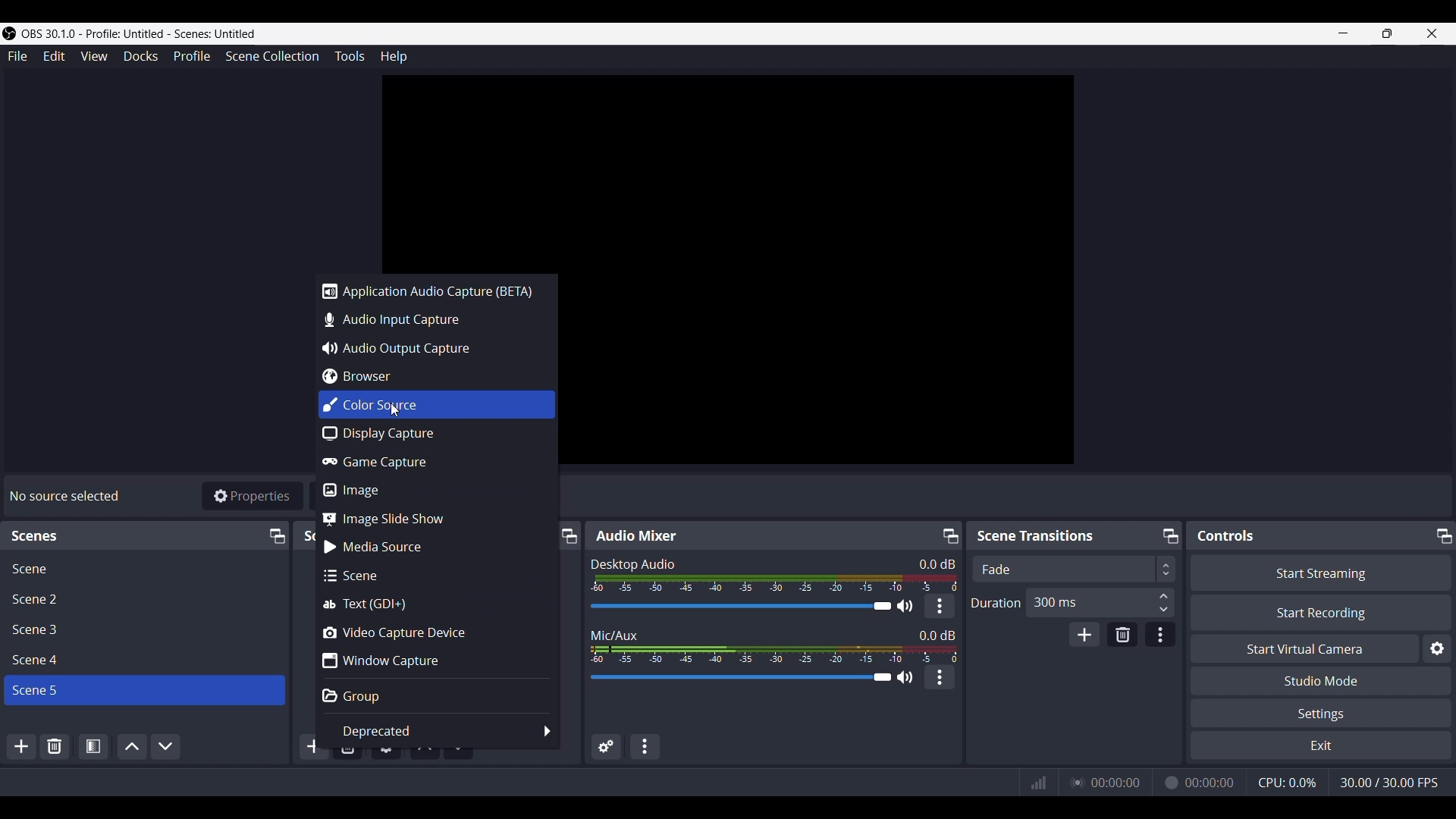 The width and height of the screenshot is (1456, 819). What do you see at coordinates (1037, 536) in the screenshot?
I see `Text` at bounding box center [1037, 536].